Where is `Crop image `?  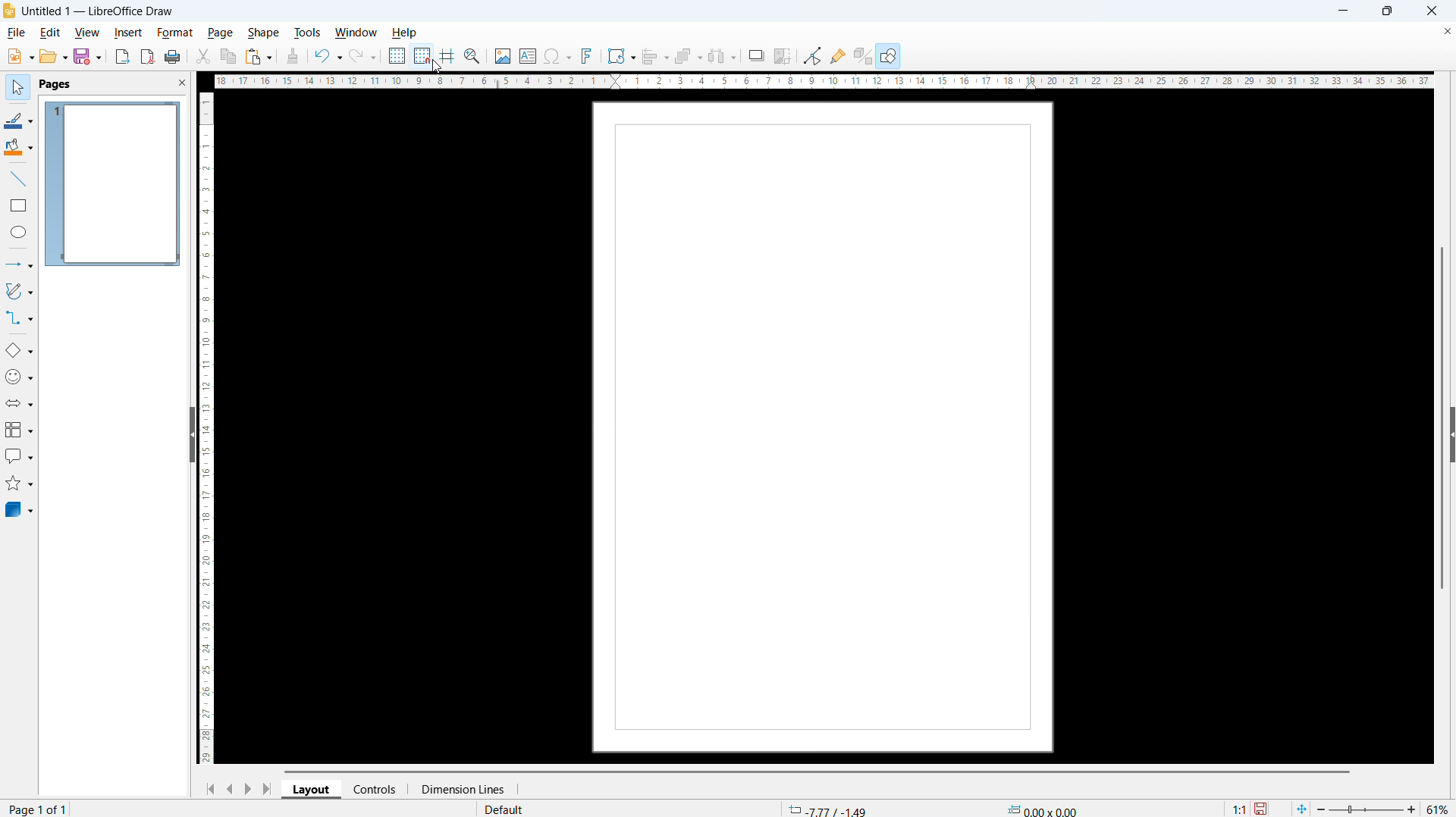
Crop image  is located at coordinates (784, 56).